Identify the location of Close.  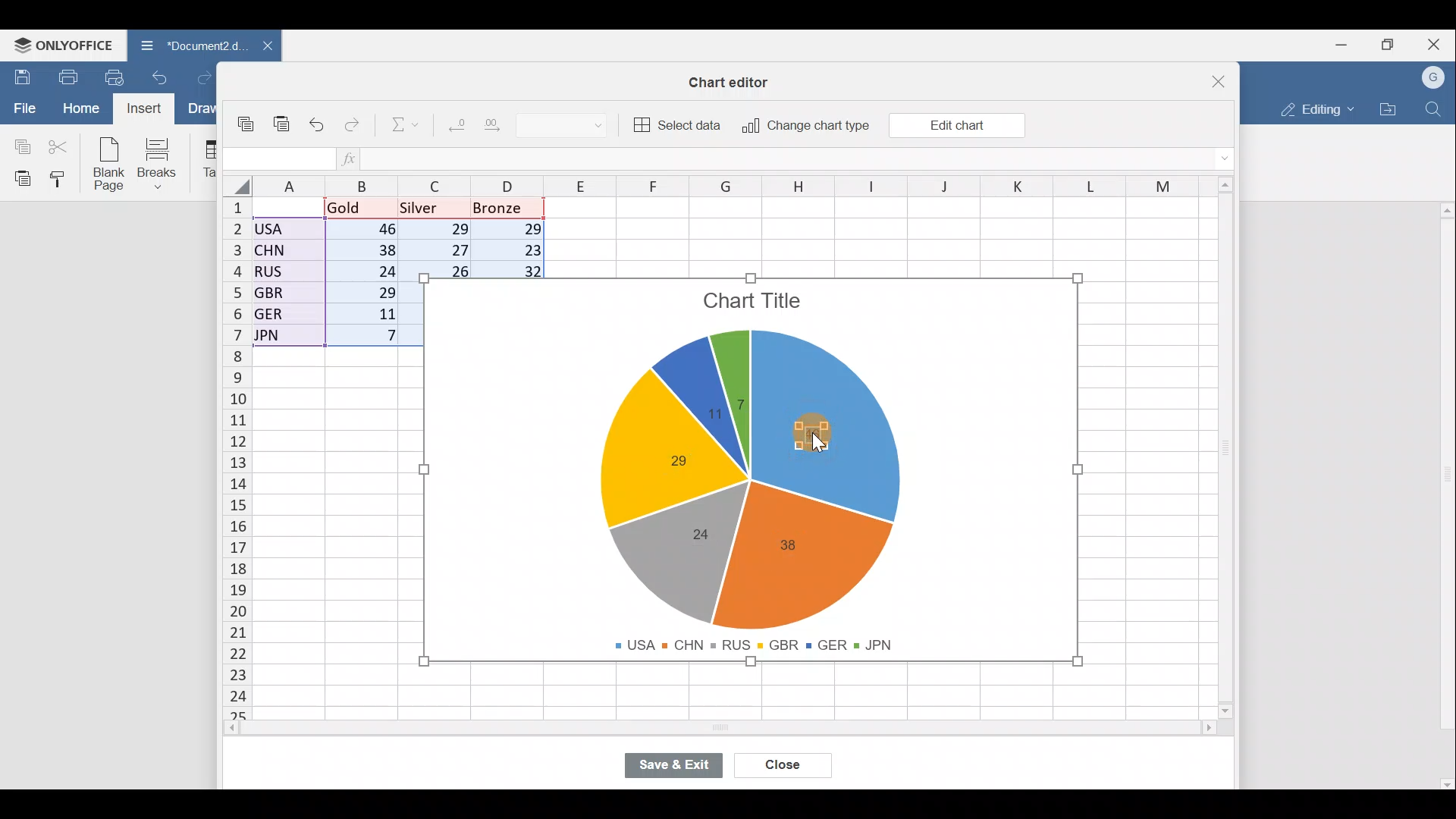
(1225, 80).